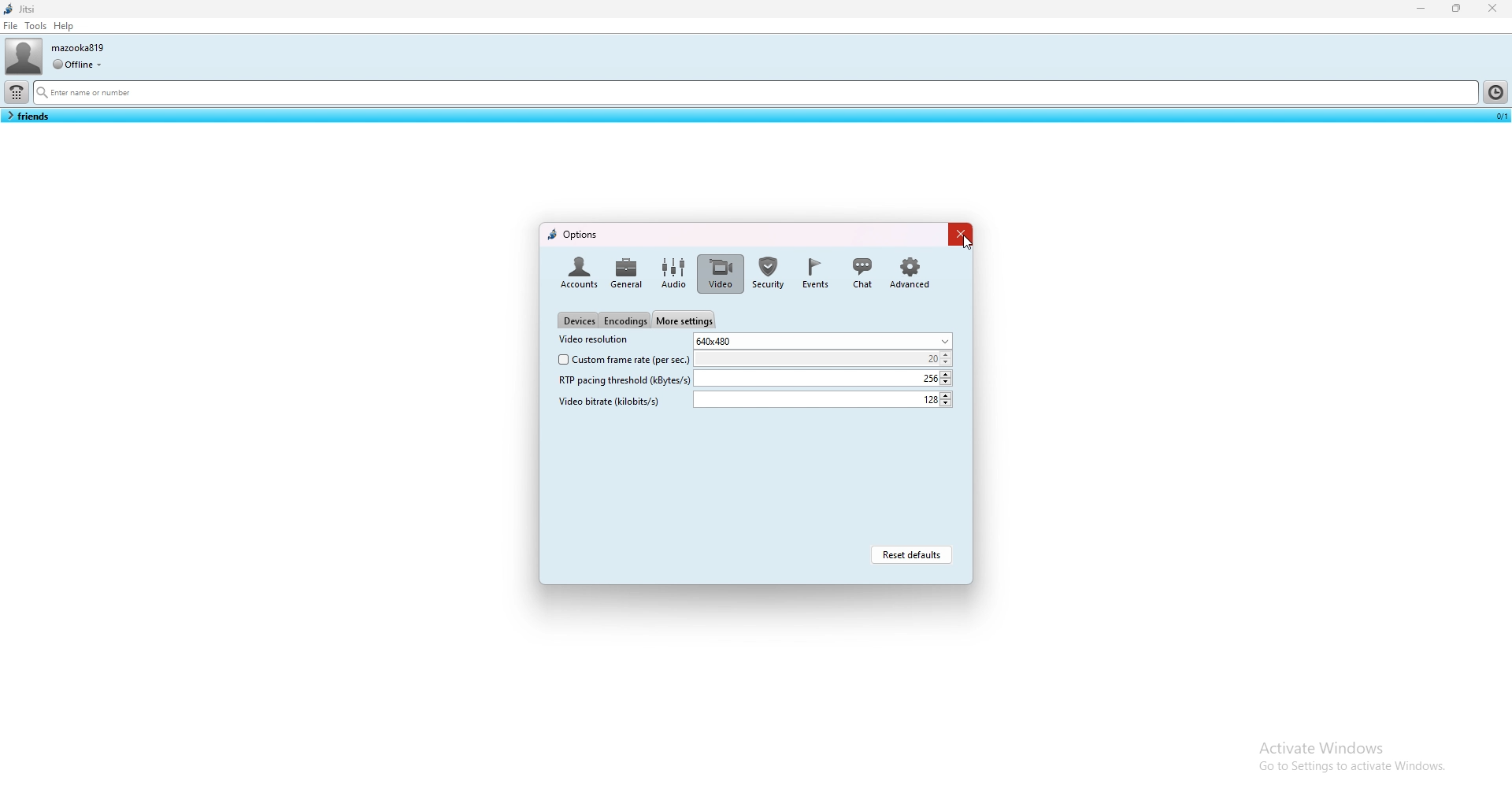  I want to click on More settings, so click(684, 318).